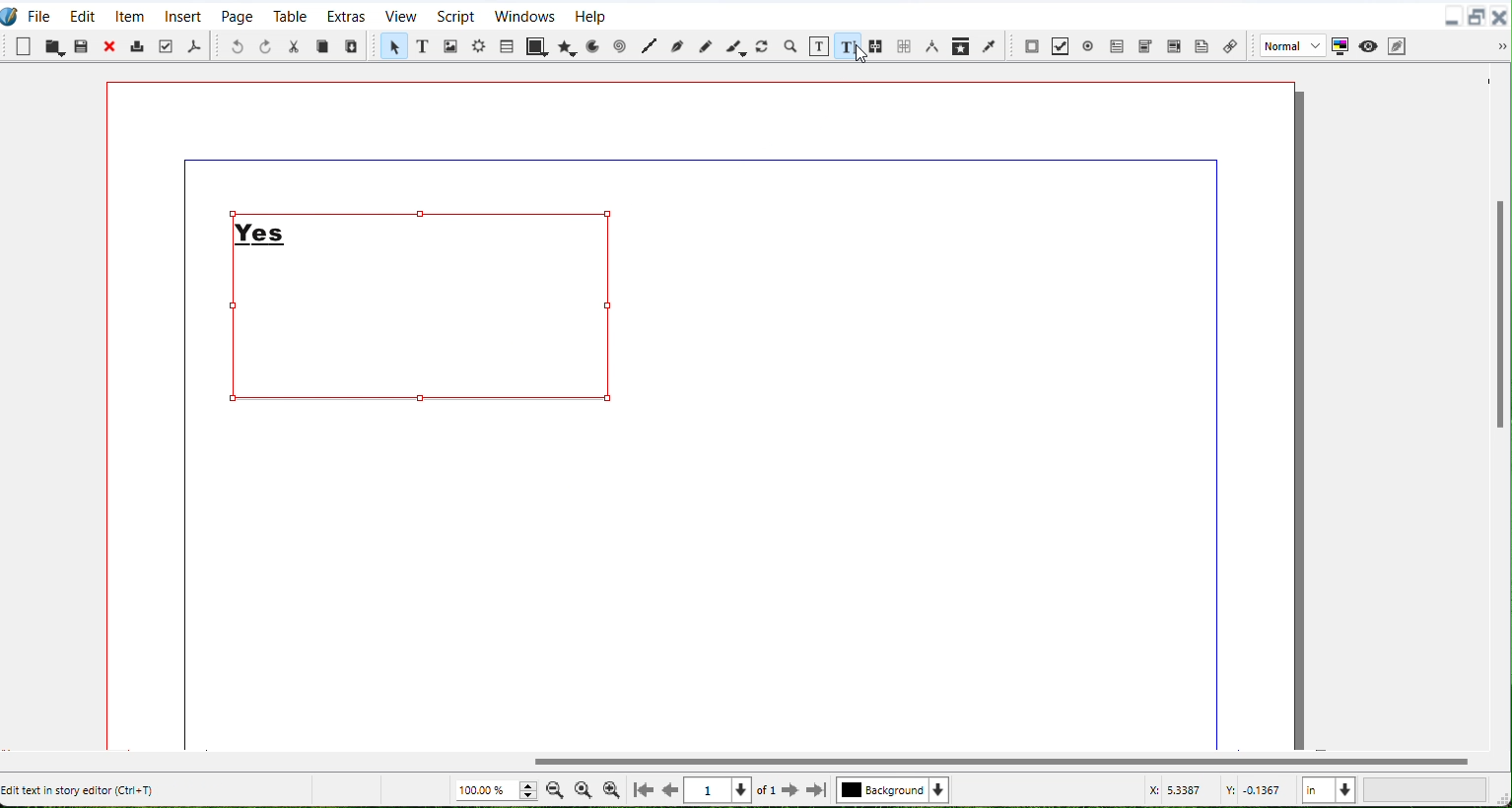  What do you see at coordinates (352, 45) in the screenshot?
I see `Paste` at bounding box center [352, 45].